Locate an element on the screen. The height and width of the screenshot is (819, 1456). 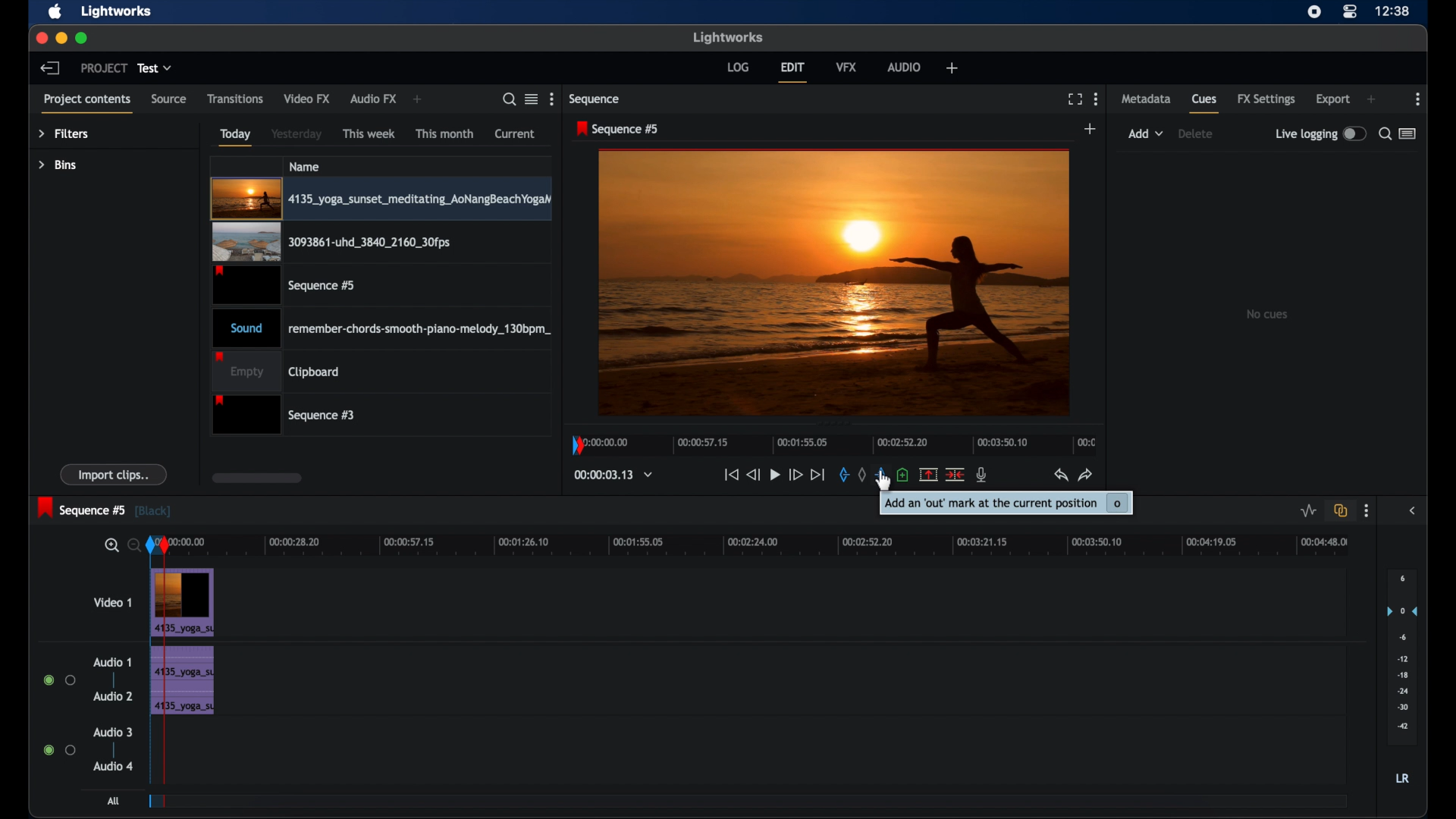
audio clip is located at coordinates (184, 702).